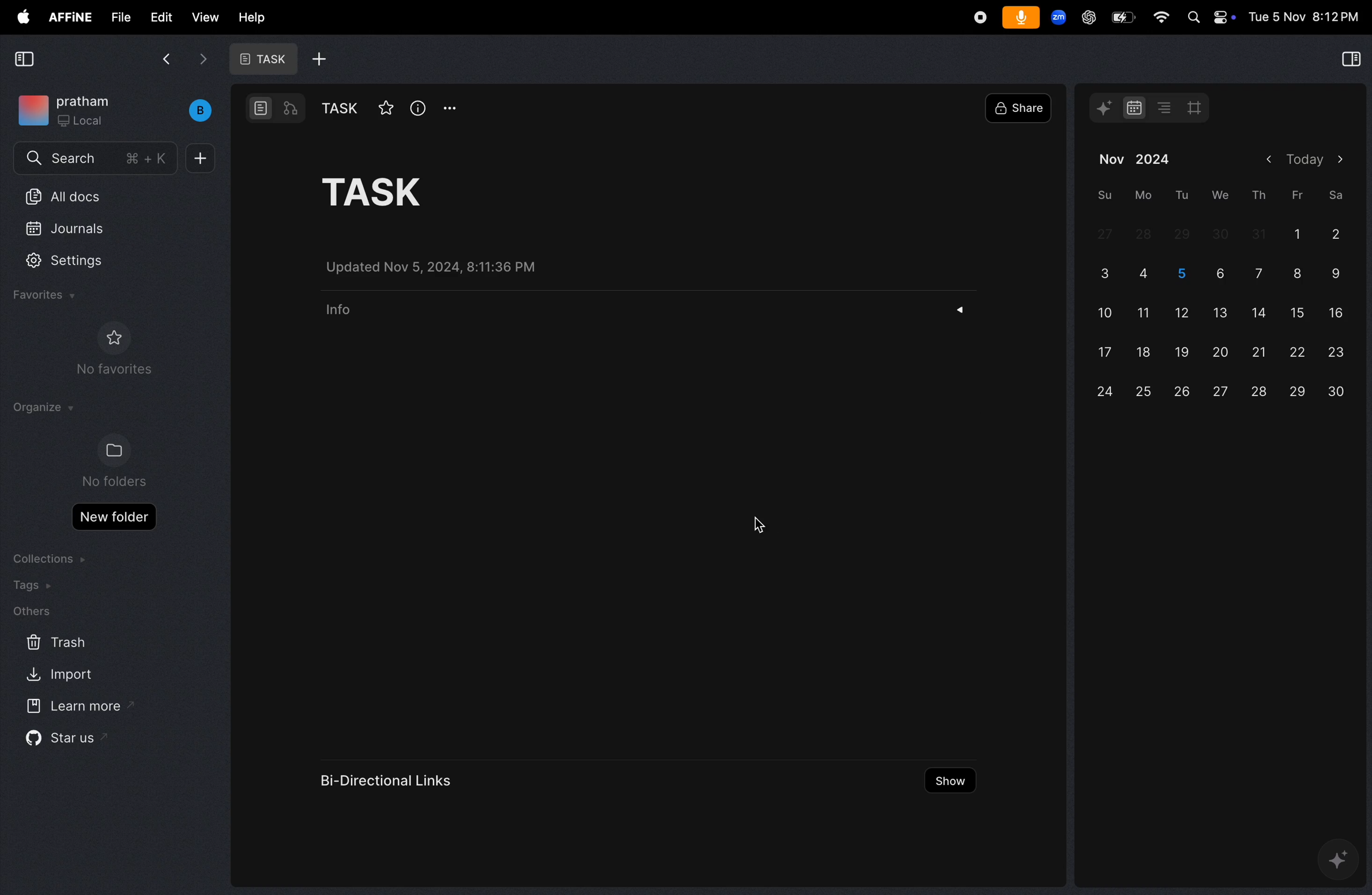  What do you see at coordinates (1158, 159) in the screenshot?
I see `days` at bounding box center [1158, 159].